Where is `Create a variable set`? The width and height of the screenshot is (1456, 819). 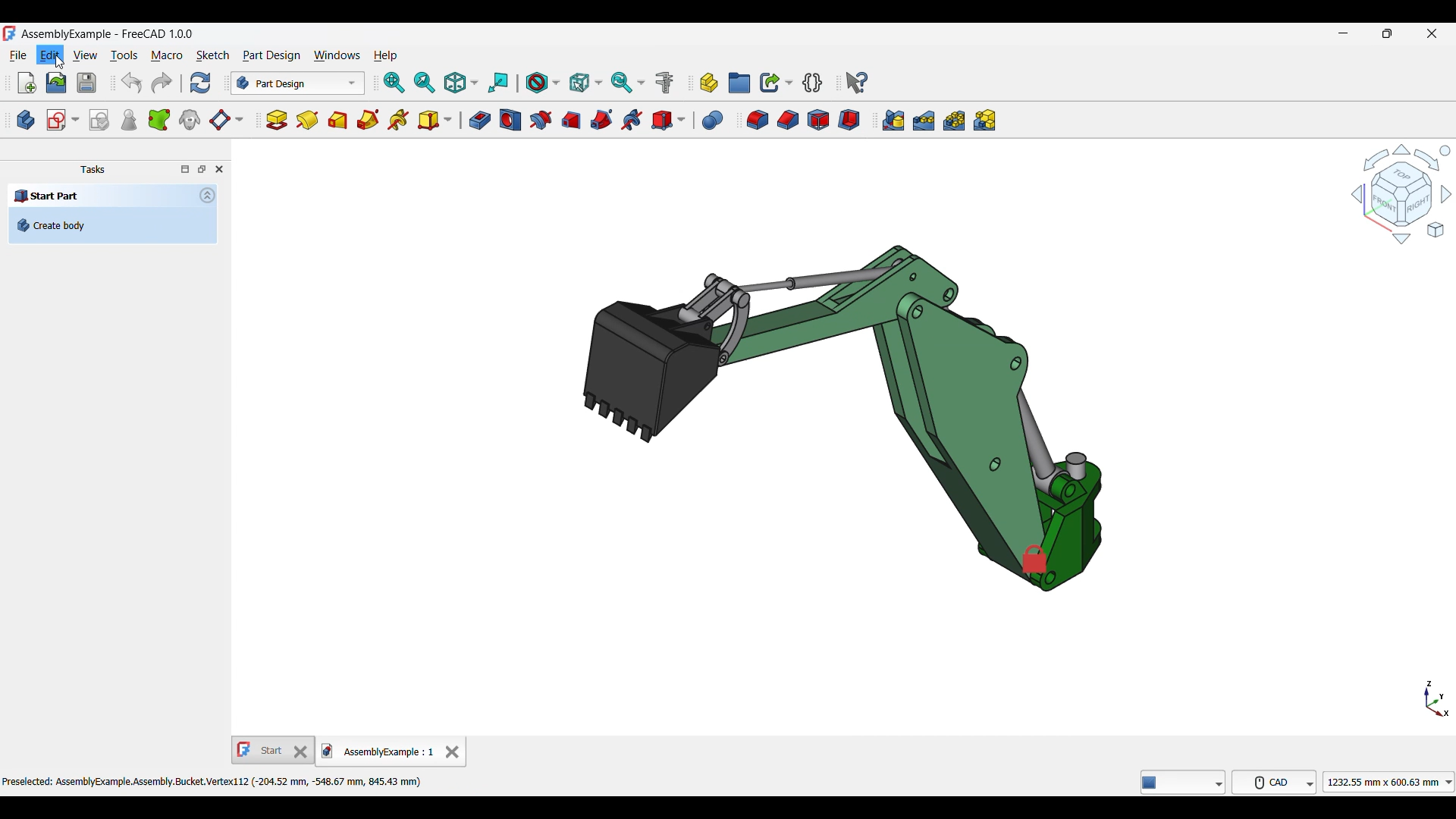
Create a variable set is located at coordinates (813, 83).